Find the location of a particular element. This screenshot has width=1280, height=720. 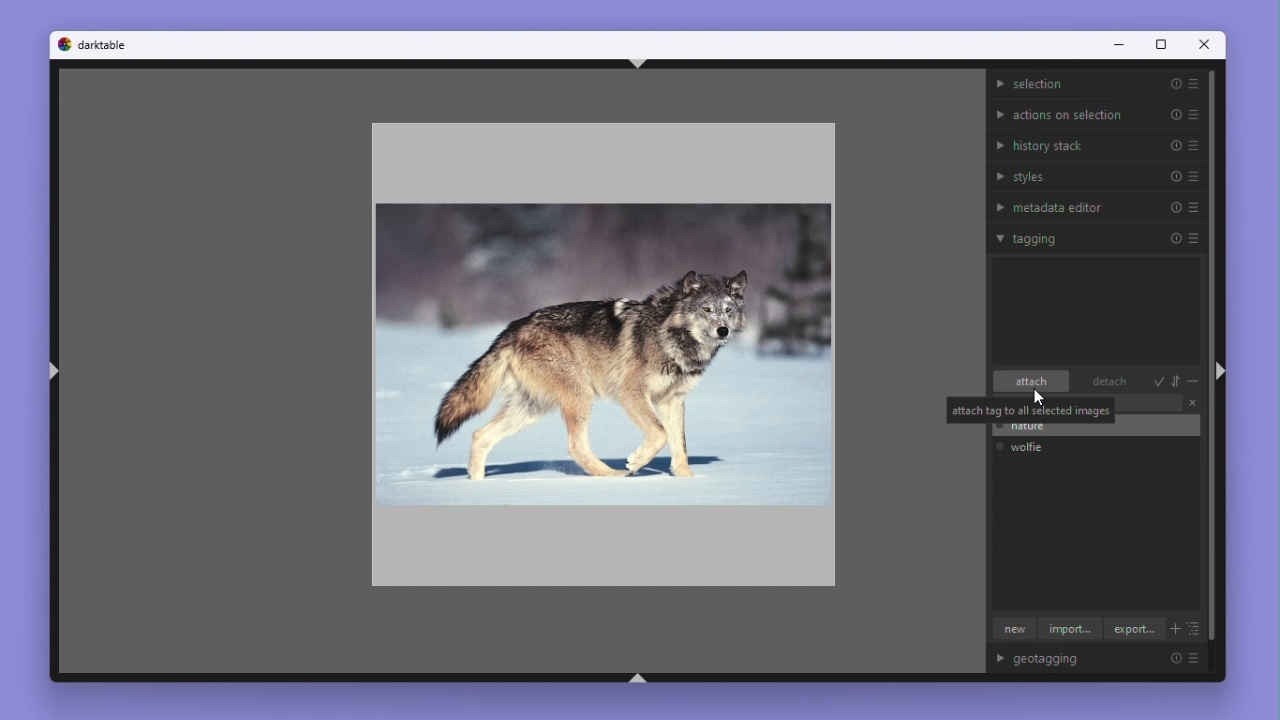

add is located at coordinates (1174, 631).